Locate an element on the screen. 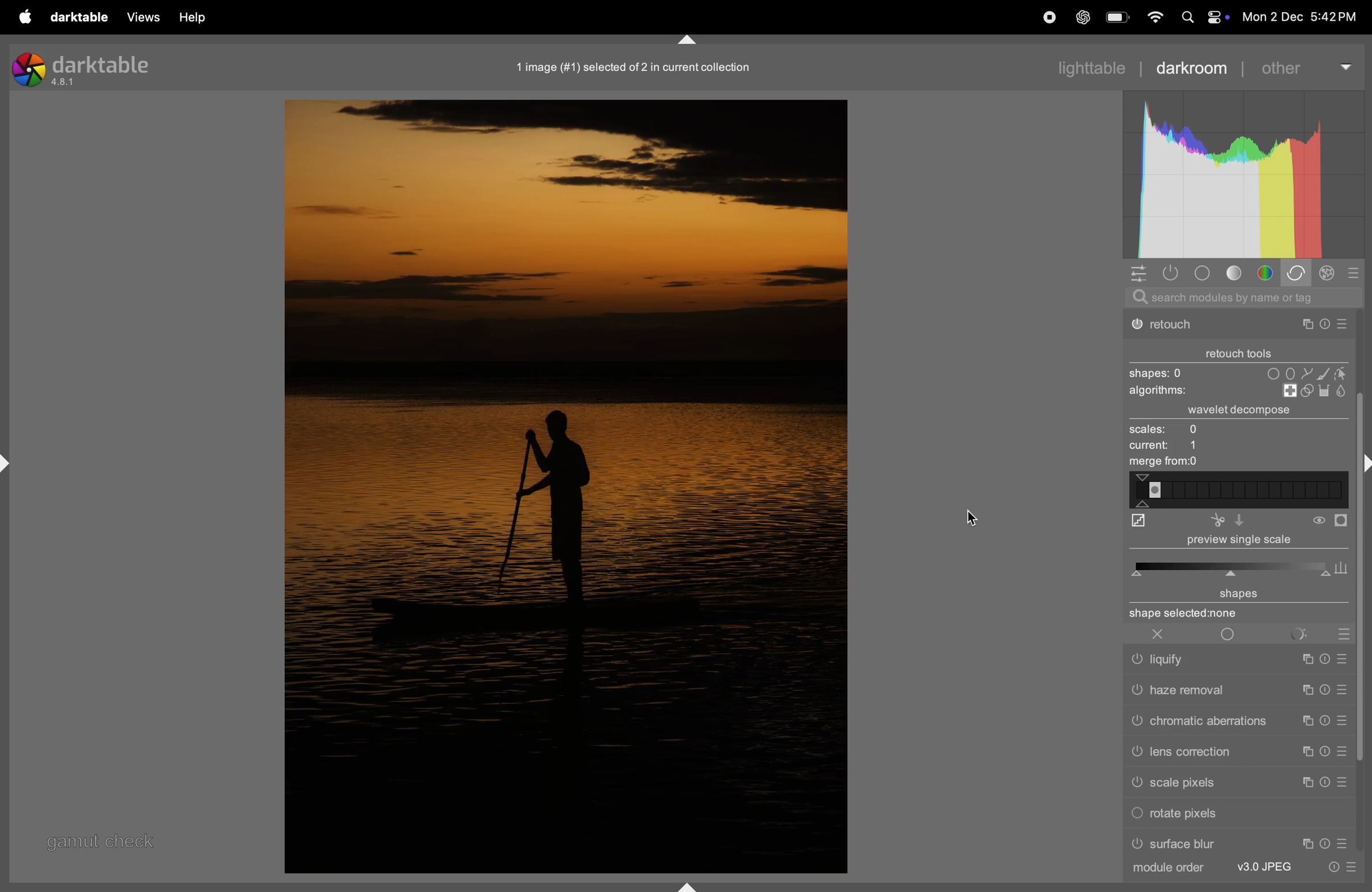 Image resolution: width=1372 pixels, height=892 pixels. merge from zero is located at coordinates (1162, 463).